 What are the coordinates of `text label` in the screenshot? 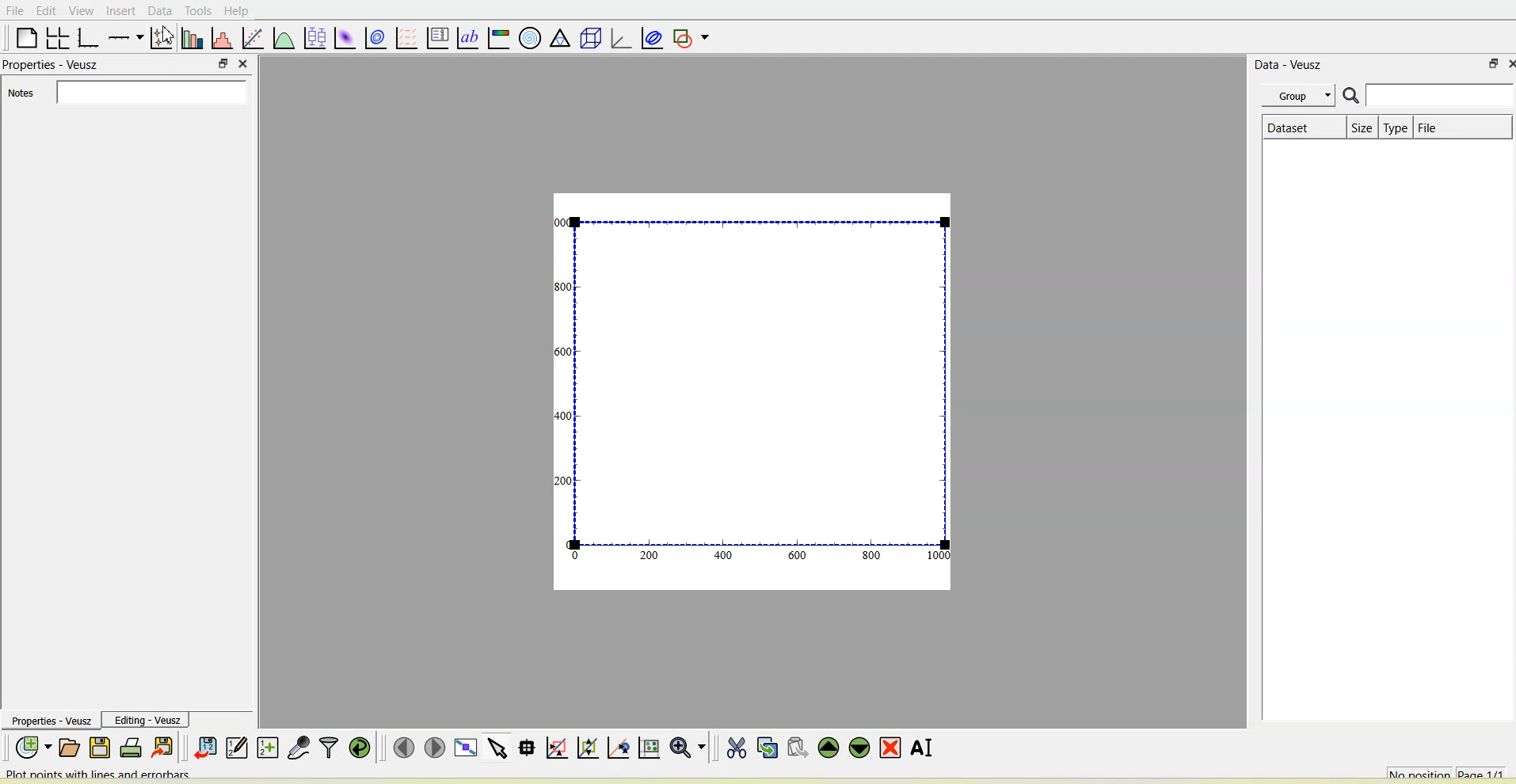 It's located at (467, 37).